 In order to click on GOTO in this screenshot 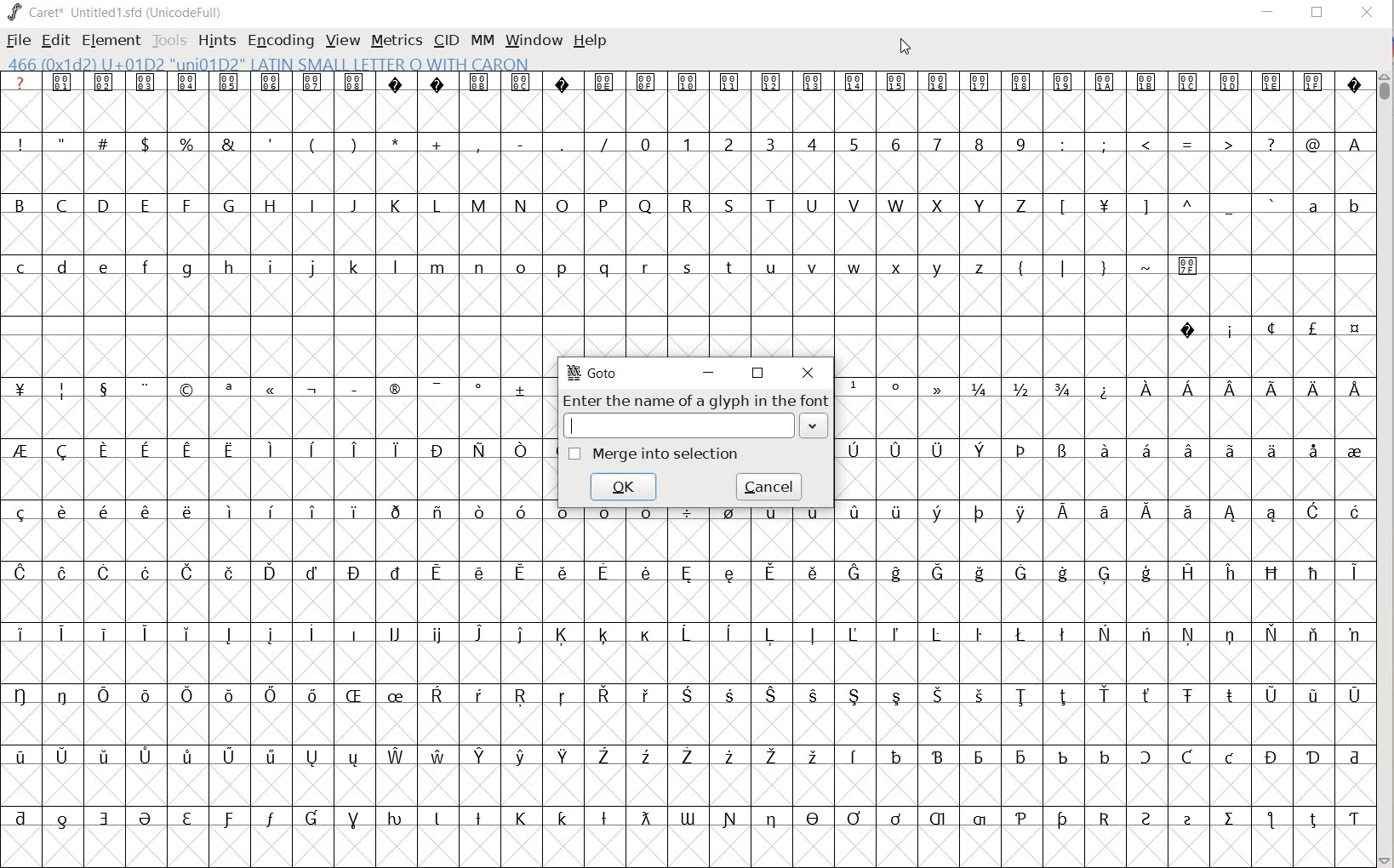, I will do `click(594, 372)`.